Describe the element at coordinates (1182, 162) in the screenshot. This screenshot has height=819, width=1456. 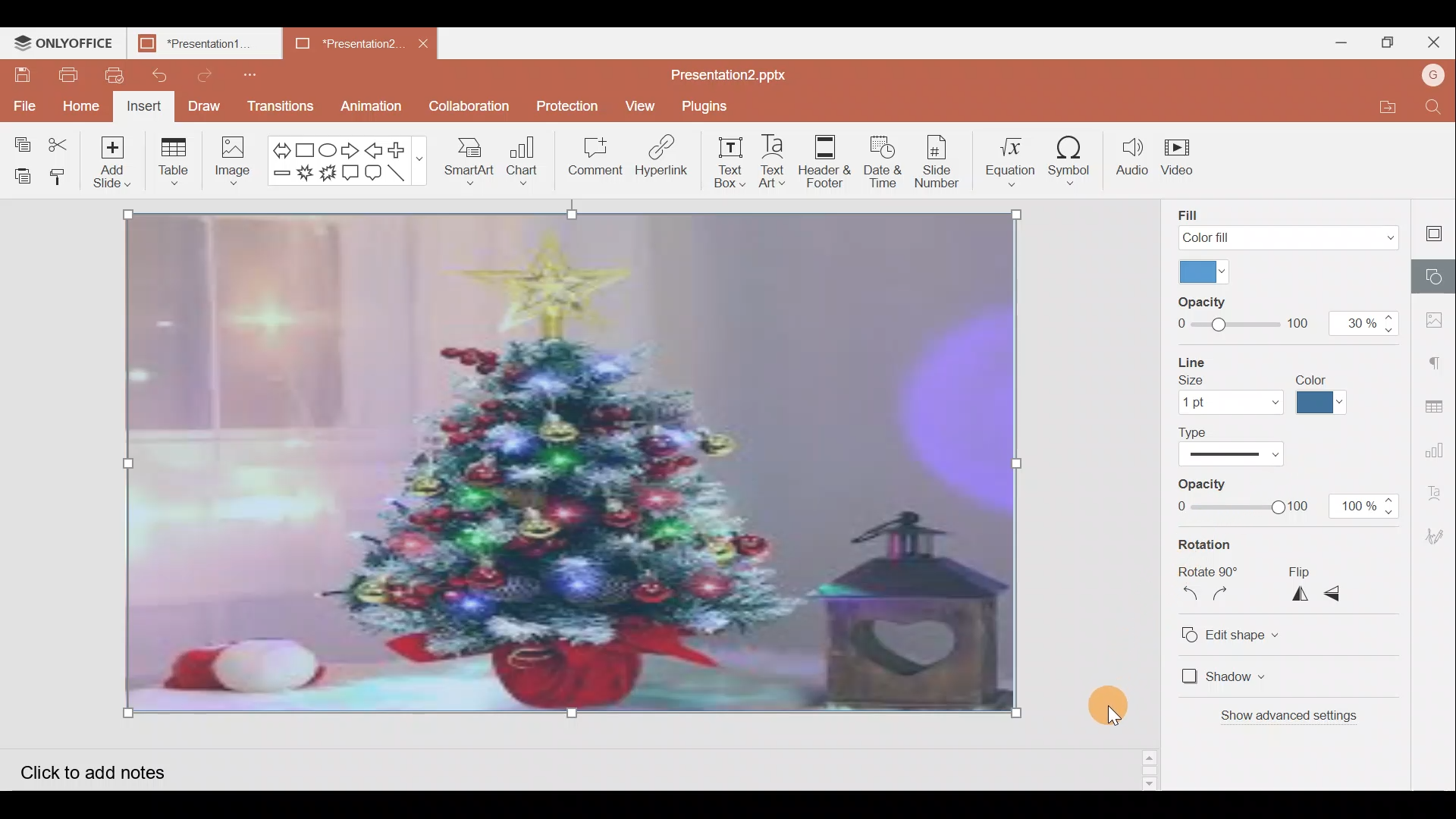
I see `Video` at that location.